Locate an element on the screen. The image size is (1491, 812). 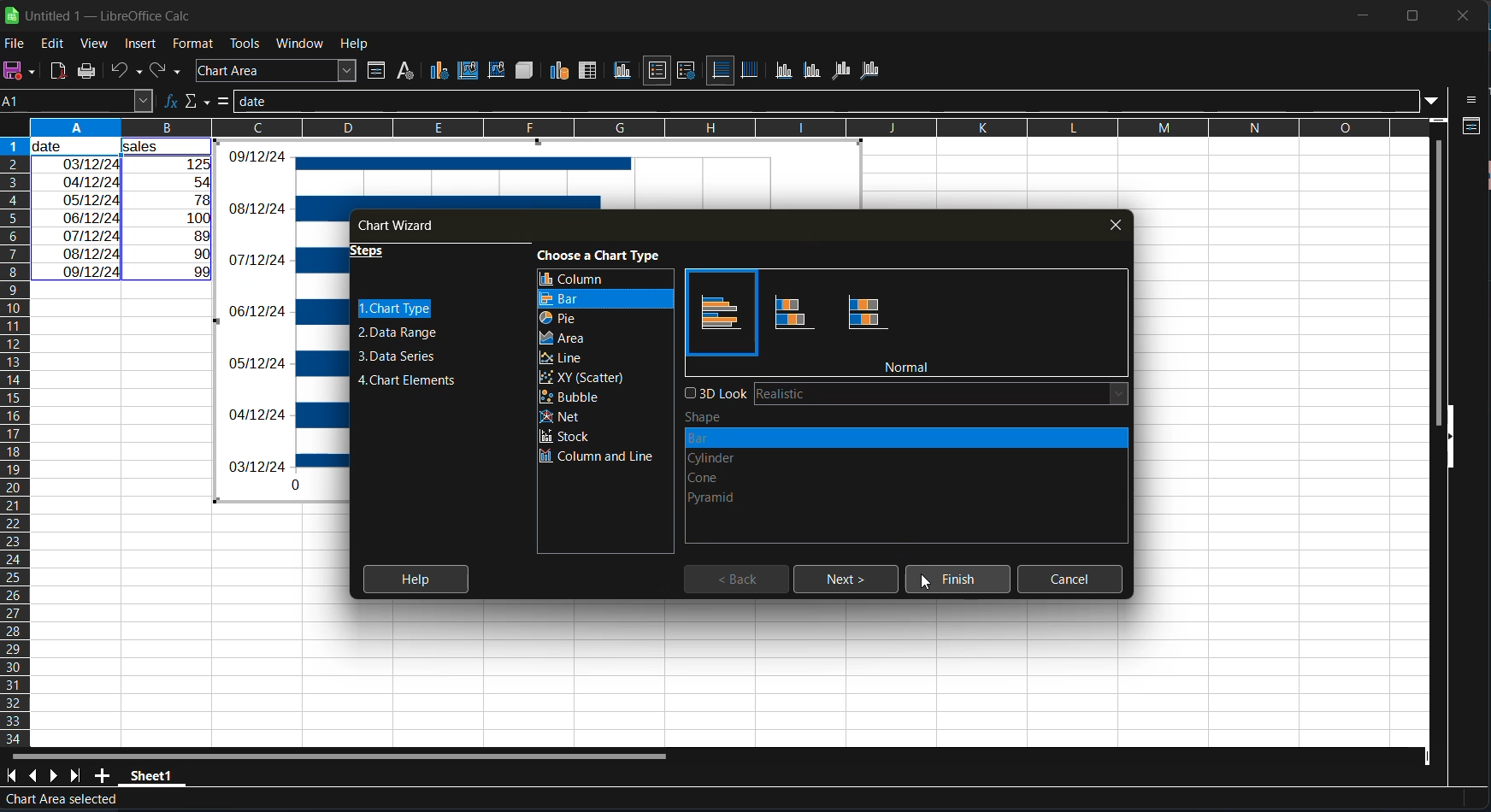
y axis is located at coordinates (811, 68).